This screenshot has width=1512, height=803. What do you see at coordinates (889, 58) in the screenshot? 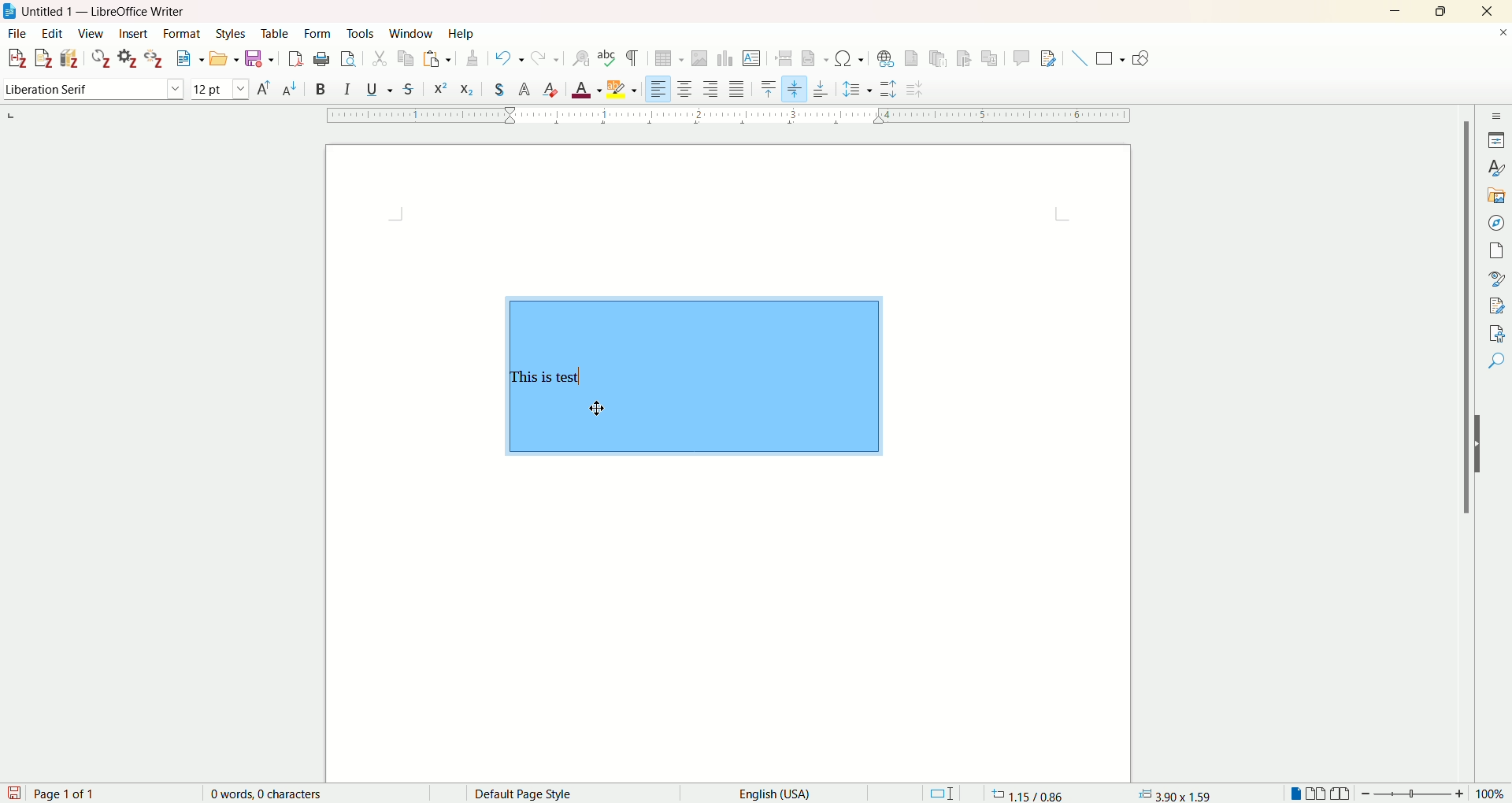
I see `insert hyperlink` at bounding box center [889, 58].